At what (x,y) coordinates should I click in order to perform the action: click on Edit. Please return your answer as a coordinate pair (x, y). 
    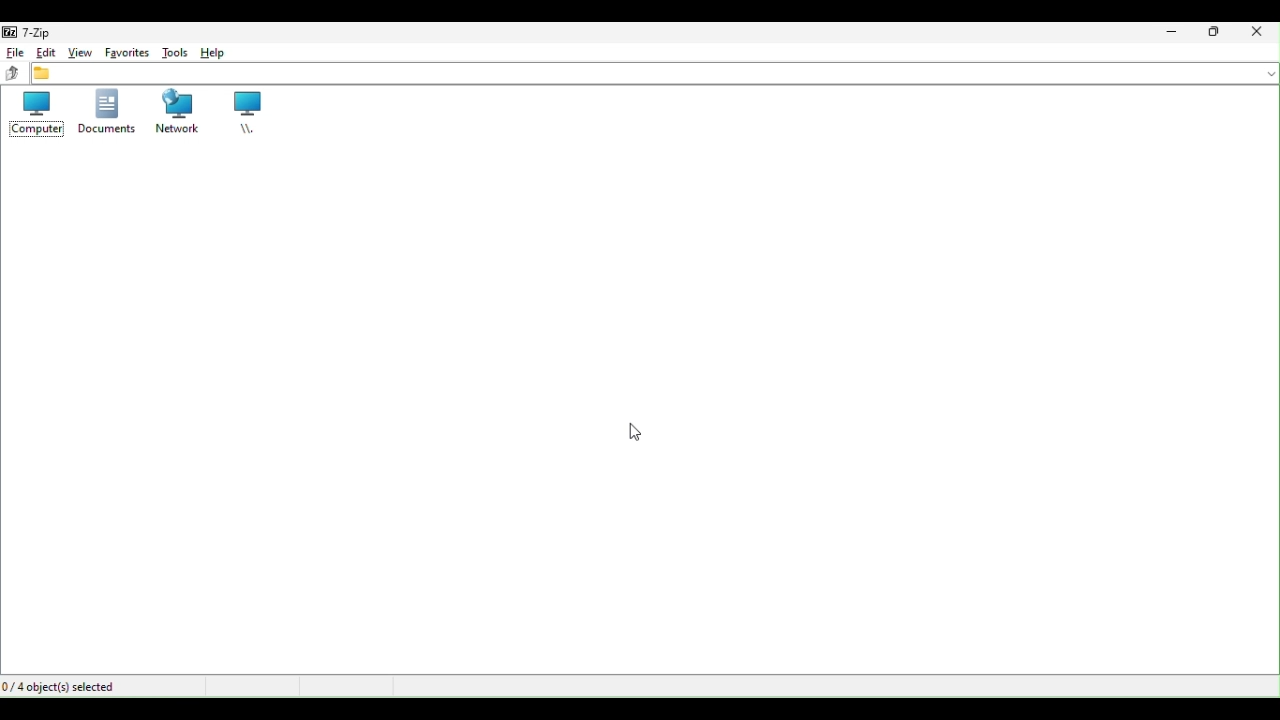
    Looking at the image, I should click on (45, 53).